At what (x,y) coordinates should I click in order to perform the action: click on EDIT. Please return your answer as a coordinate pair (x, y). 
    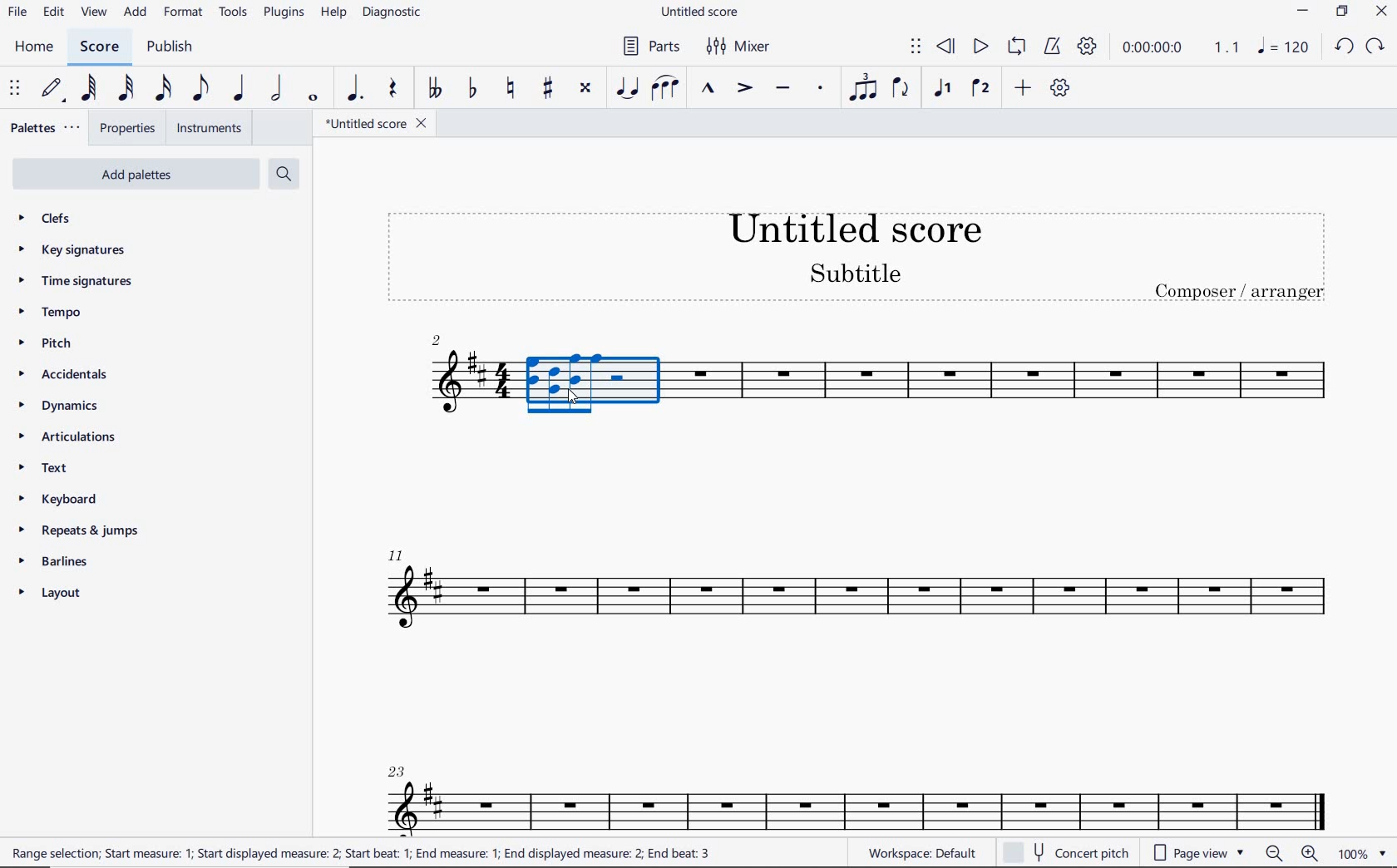
    Looking at the image, I should click on (53, 14).